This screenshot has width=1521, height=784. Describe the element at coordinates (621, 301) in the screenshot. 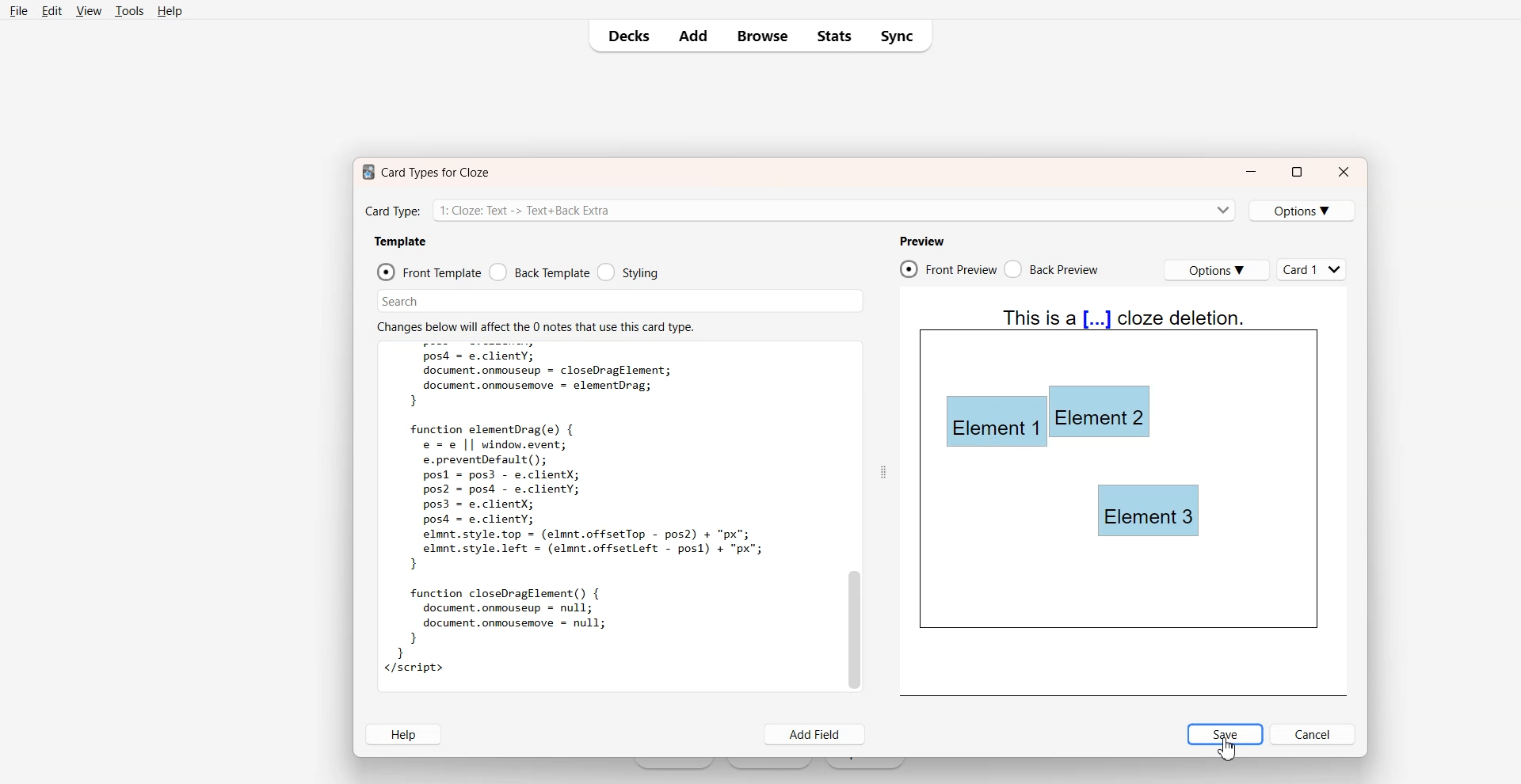

I see `Search` at that location.